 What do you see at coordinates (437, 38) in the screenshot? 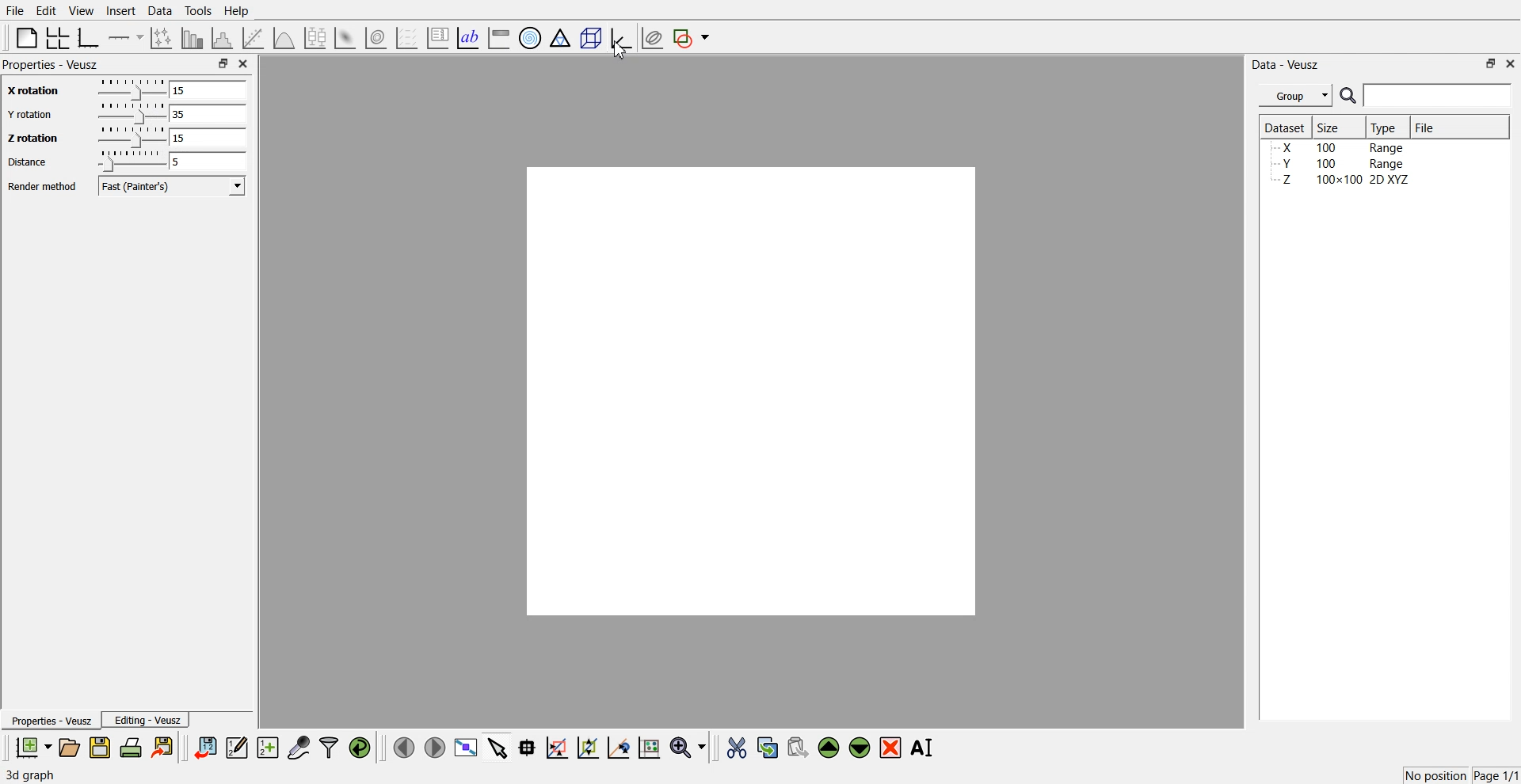
I see `Plot key` at bounding box center [437, 38].